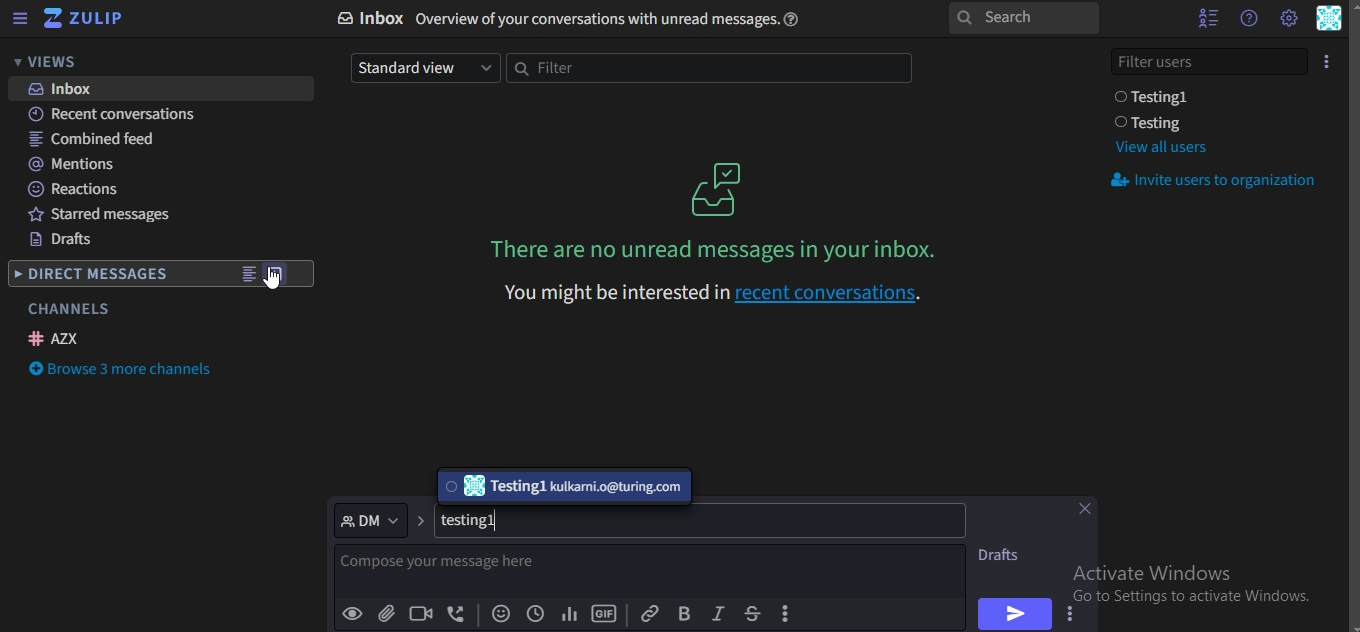  I want to click on view all users, so click(1160, 147).